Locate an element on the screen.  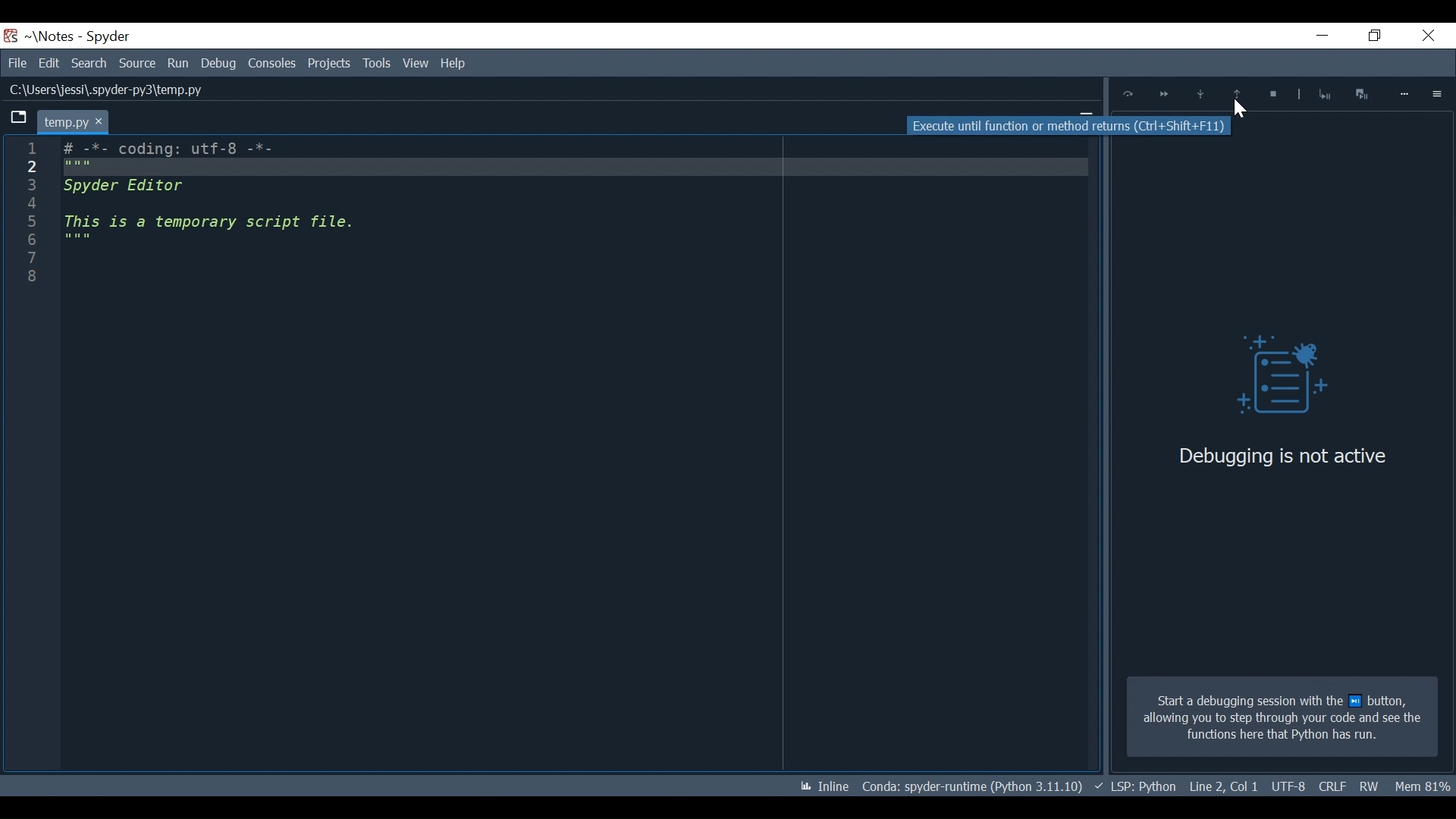
Step into function or method is located at coordinates (1200, 96).